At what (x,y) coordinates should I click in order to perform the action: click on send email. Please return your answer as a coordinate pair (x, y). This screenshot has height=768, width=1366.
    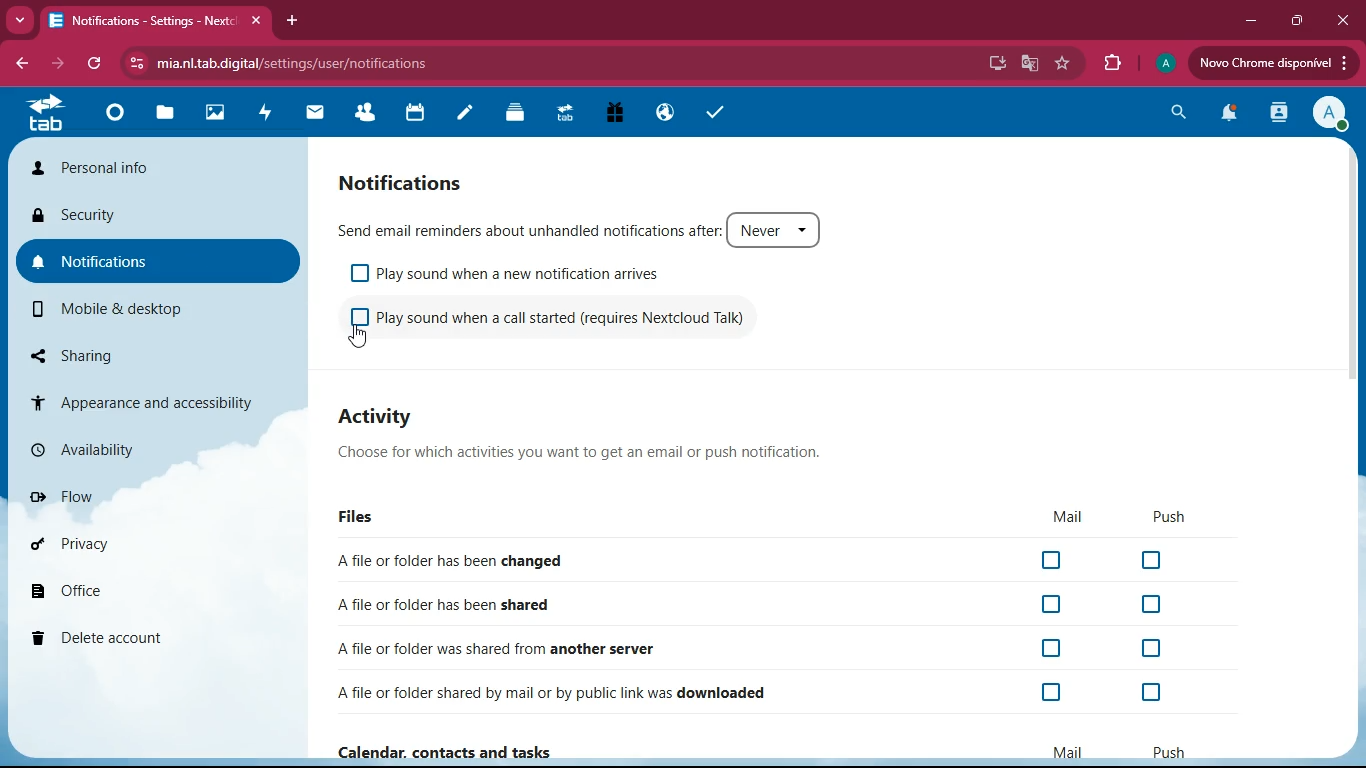
    Looking at the image, I should click on (526, 229).